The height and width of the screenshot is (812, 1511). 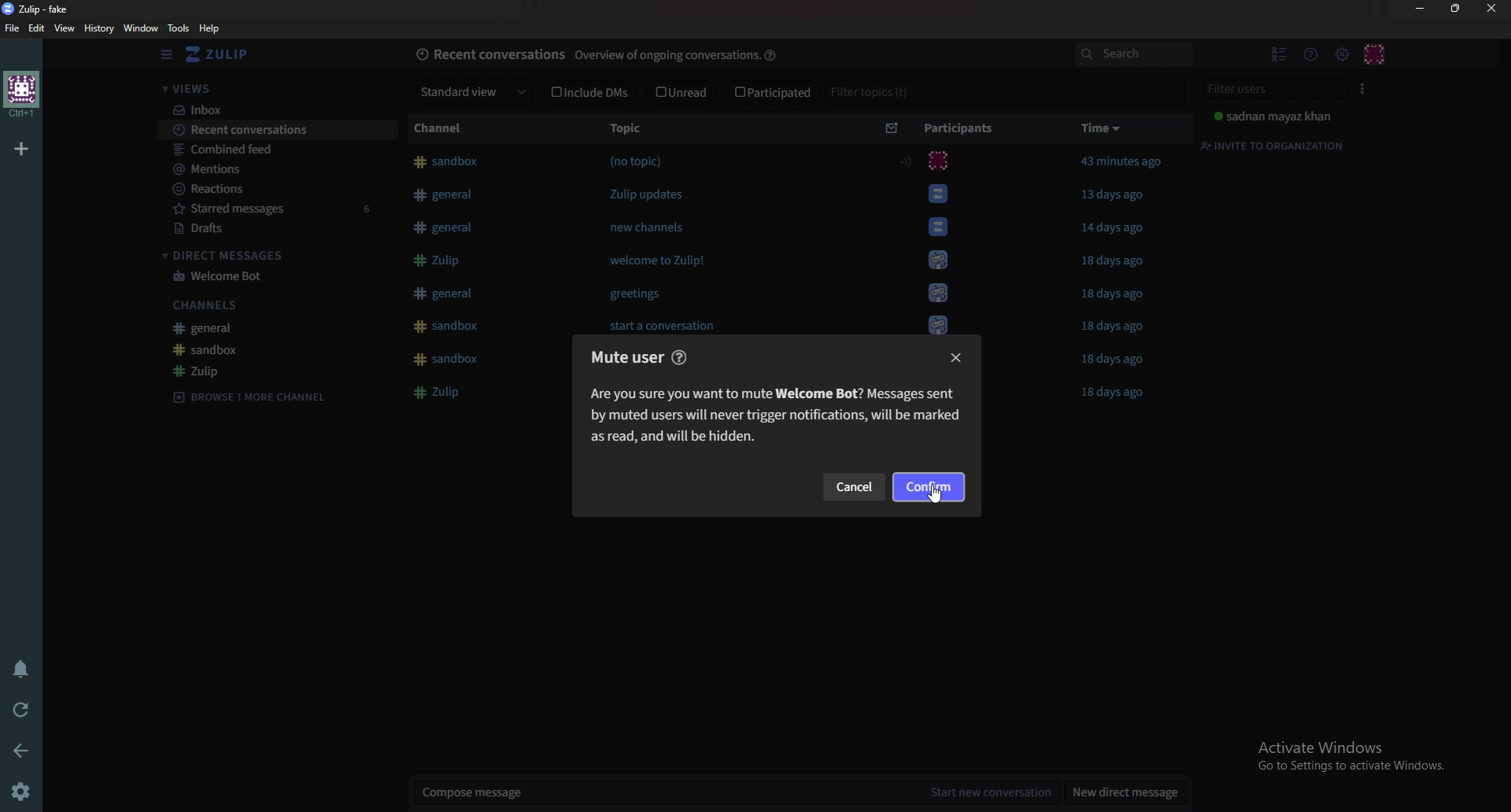 I want to click on settings, so click(x=19, y=791).